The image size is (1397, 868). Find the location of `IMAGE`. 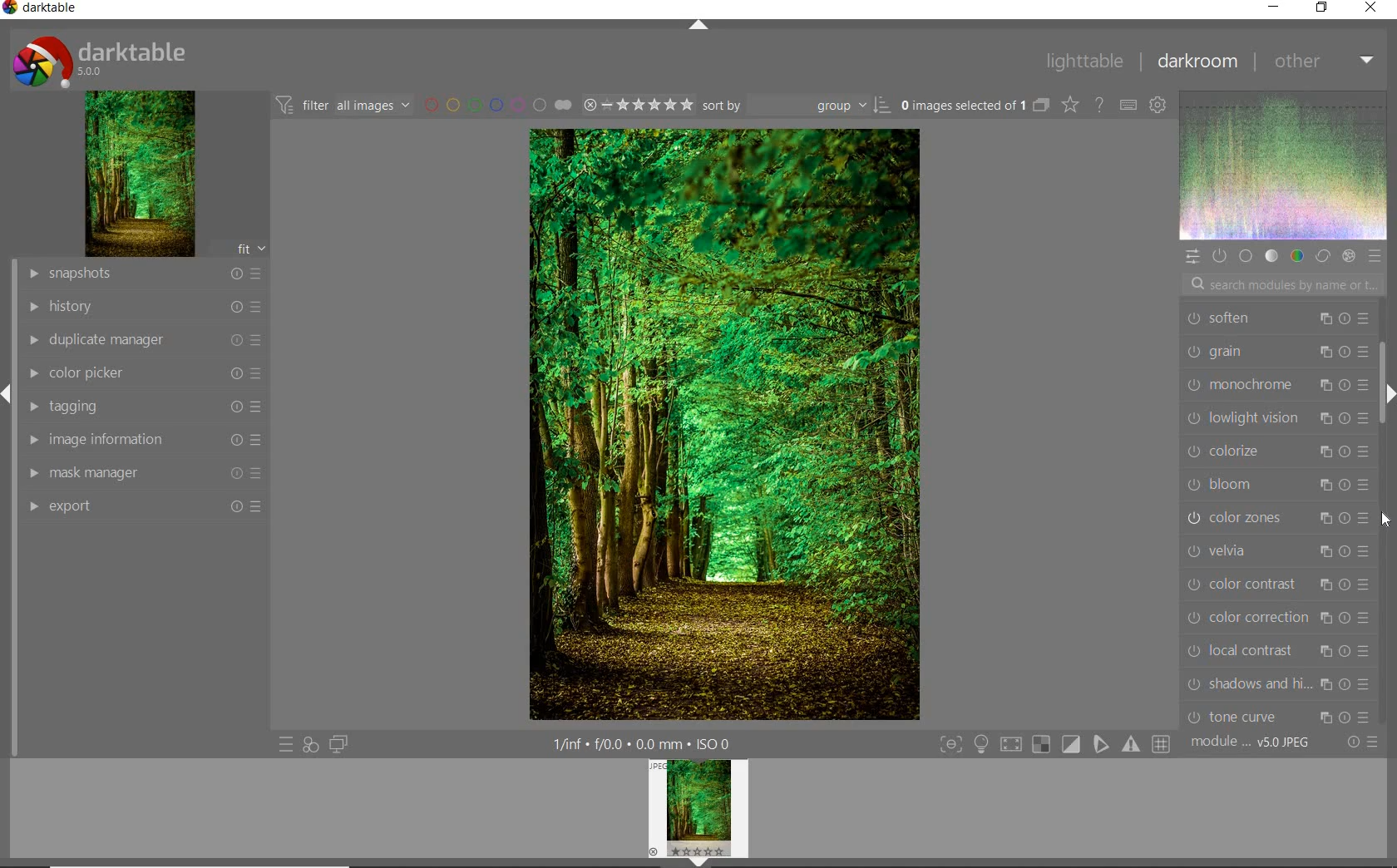

IMAGE is located at coordinates (137, 173).